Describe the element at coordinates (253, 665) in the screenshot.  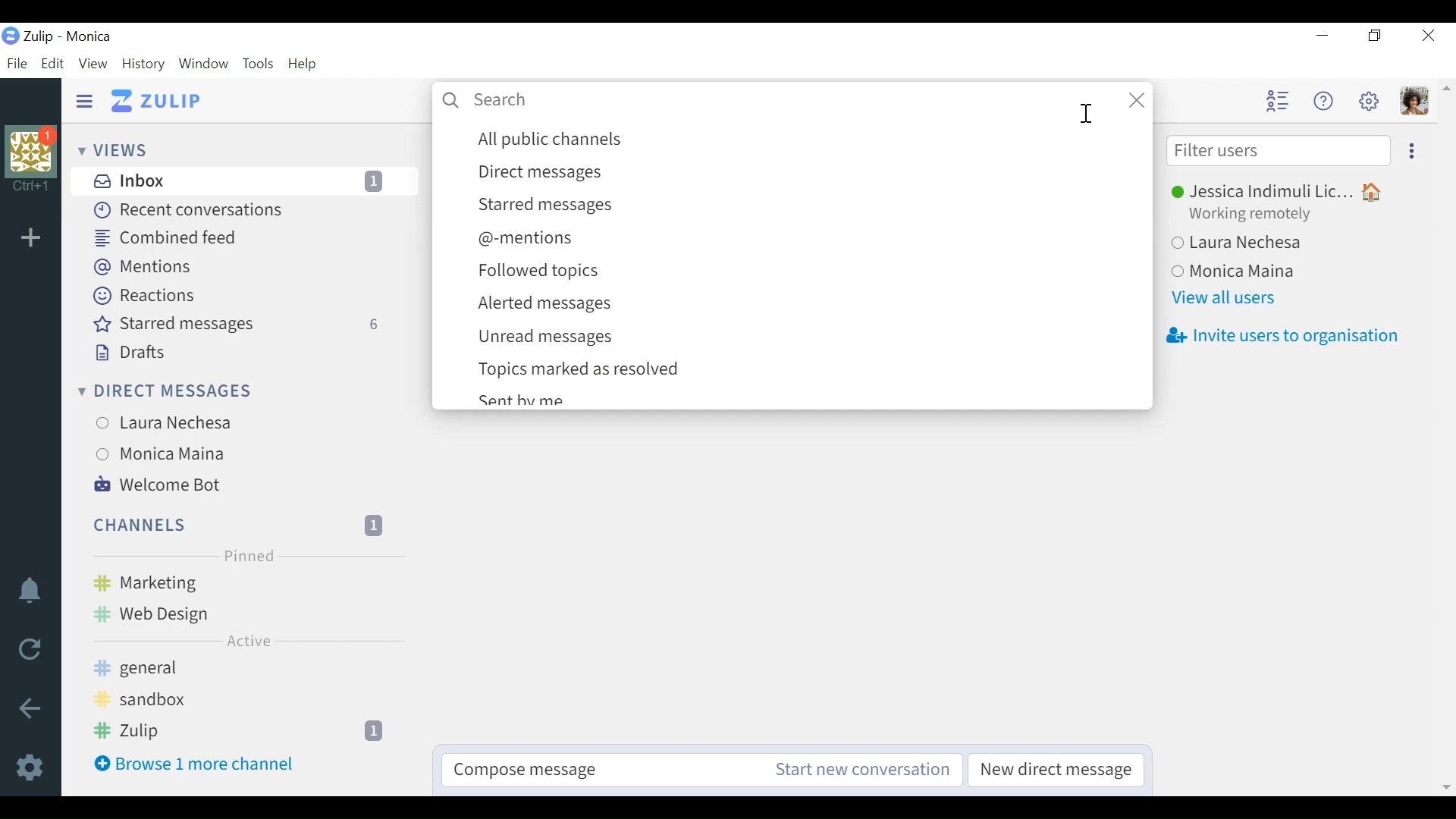
I see `general` at that location.